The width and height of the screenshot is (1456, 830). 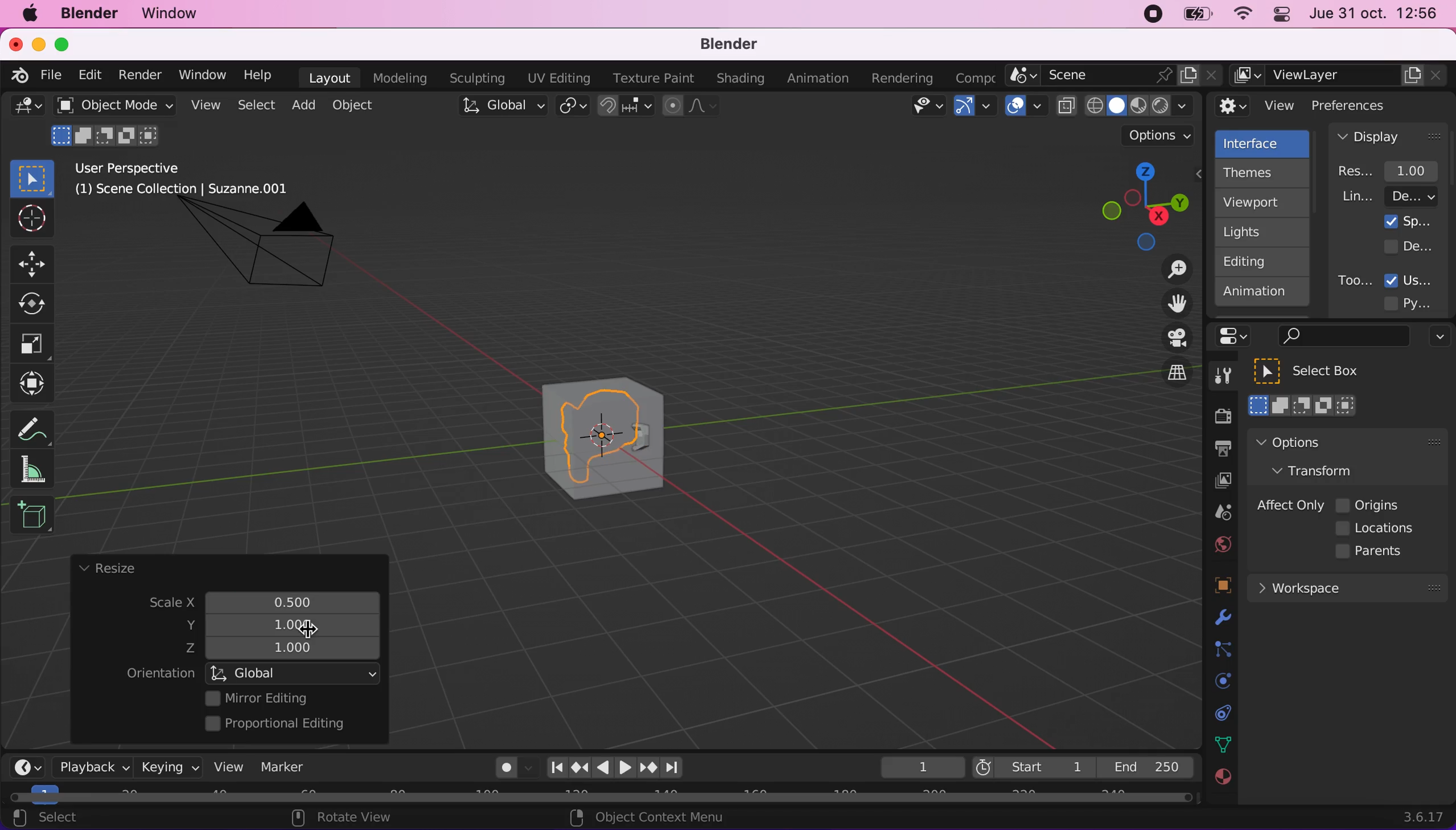 I want to click on play, so click(x=615, y=768).